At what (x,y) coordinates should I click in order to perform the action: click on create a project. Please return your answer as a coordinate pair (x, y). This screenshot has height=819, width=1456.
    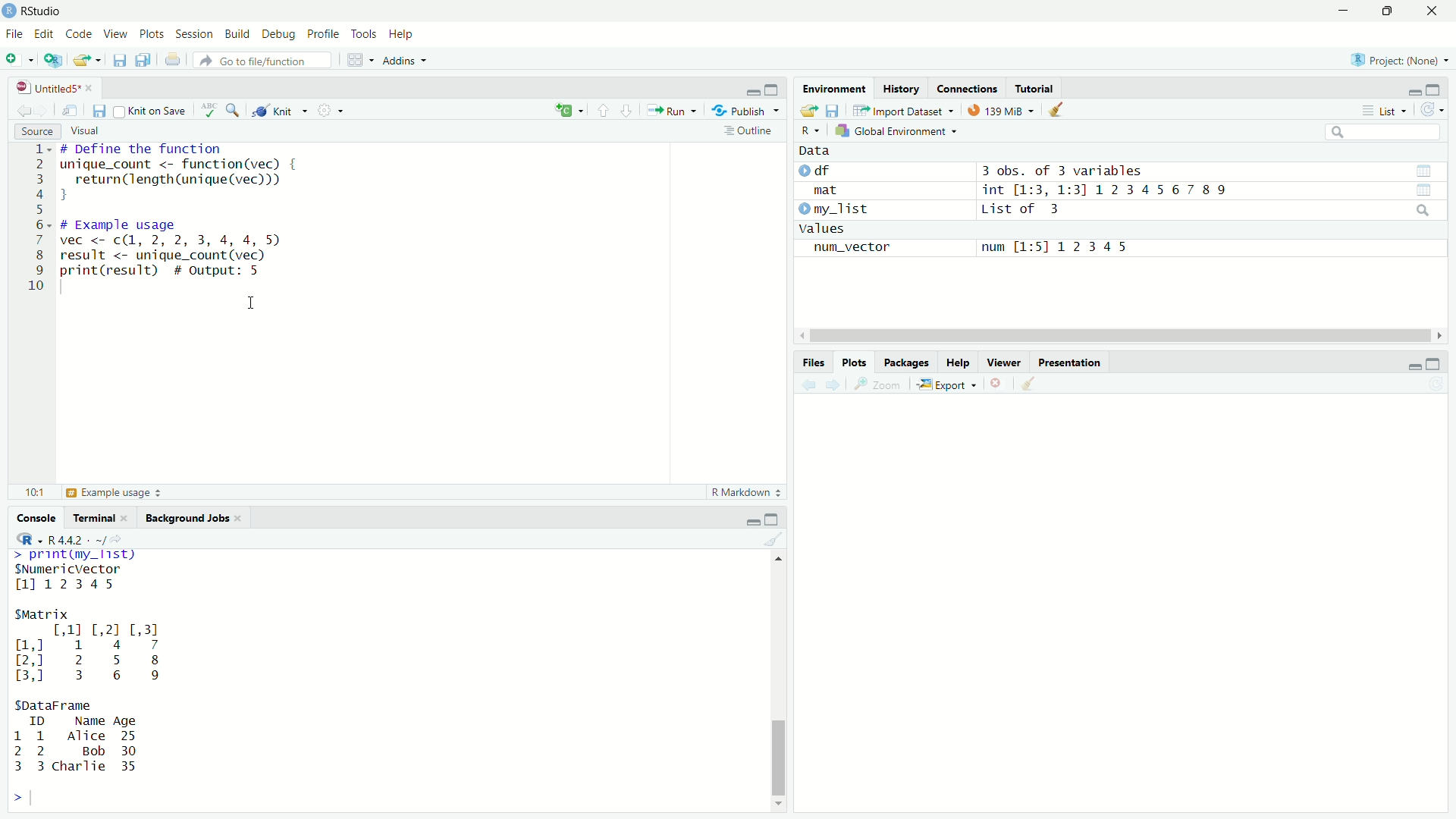
    Looking at the image, I should click on (55, 60).